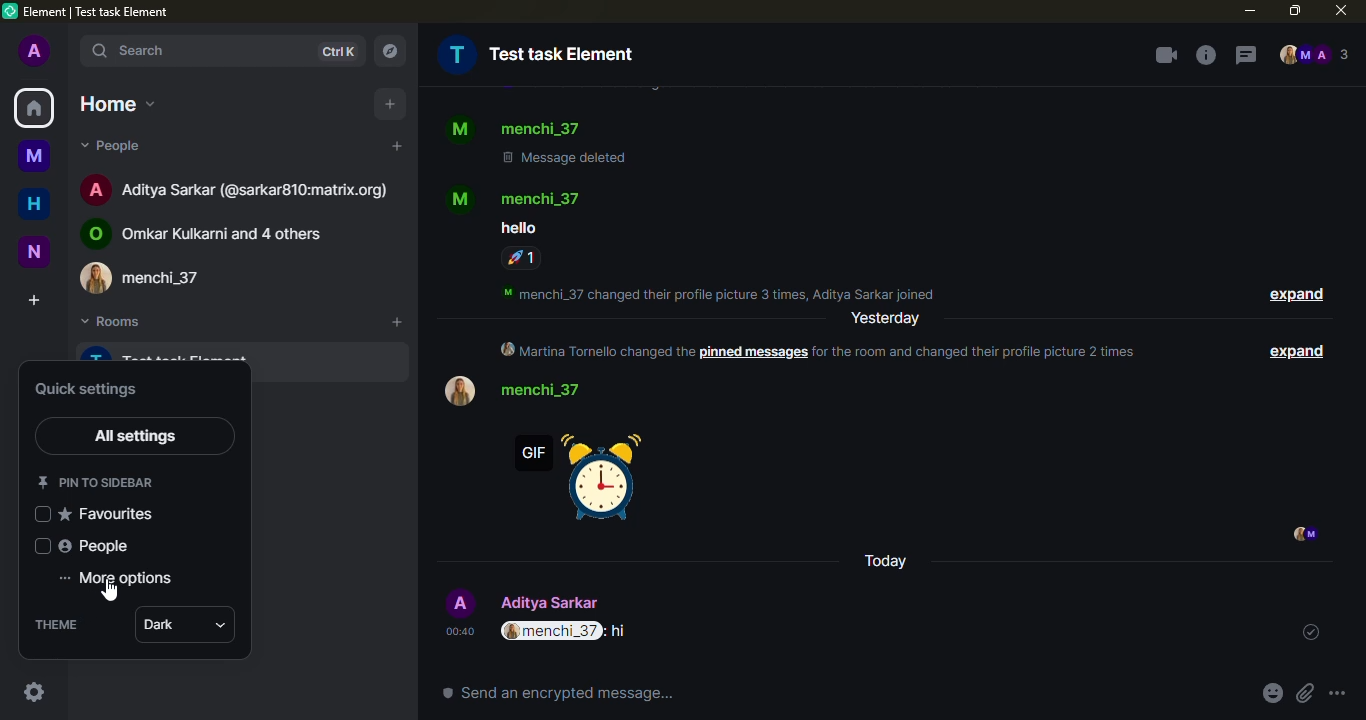 Image resolution: width=1366 pixels, height=720 pixels. What do you see at coordinates (43, 514) in the screenshot?
I see `select` at bounding box center [43, 514].